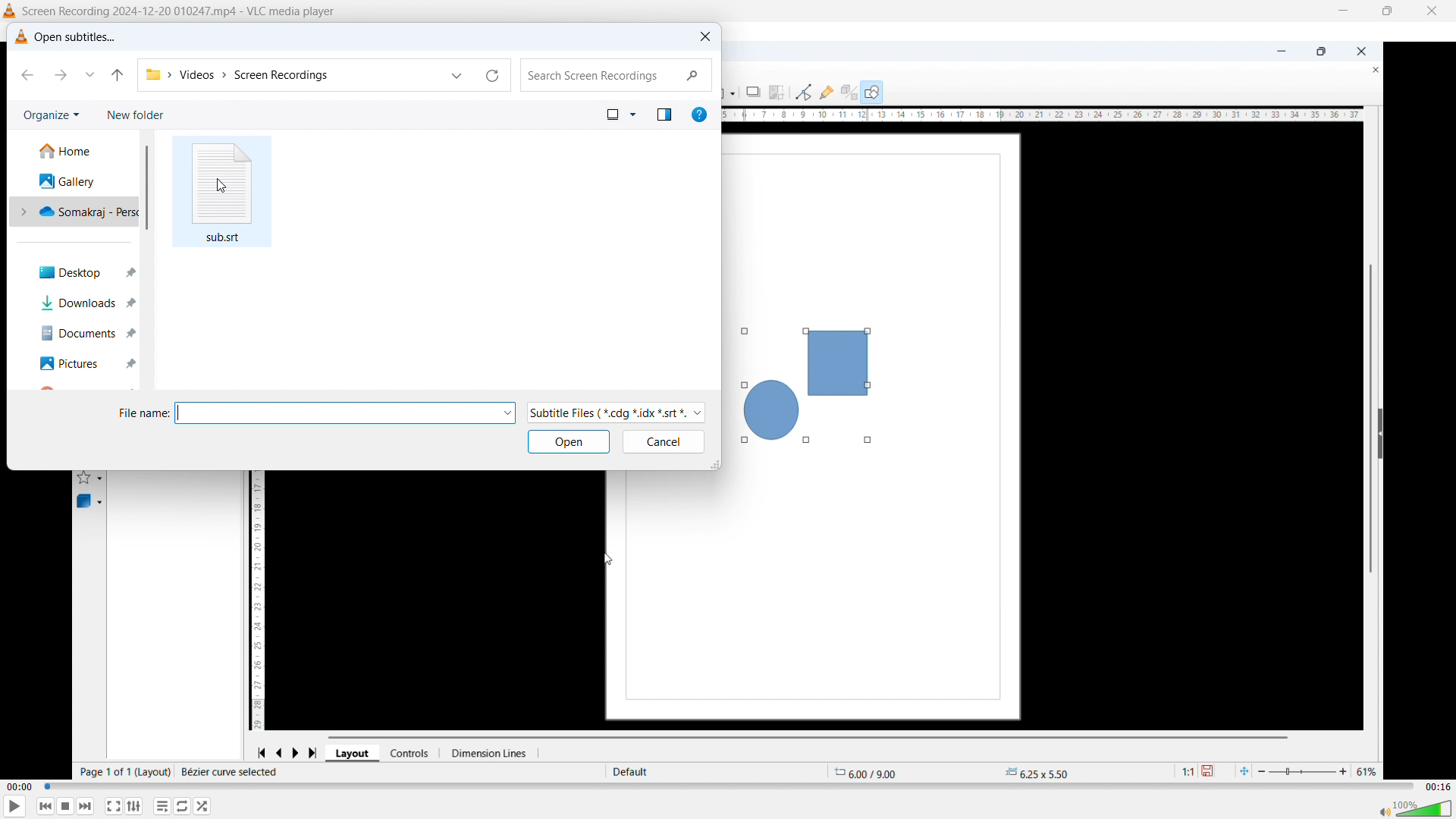  Describe the element at coordinates (872, 770) in the screenshot. I see `cursor position-6.00/9.00` at that location.